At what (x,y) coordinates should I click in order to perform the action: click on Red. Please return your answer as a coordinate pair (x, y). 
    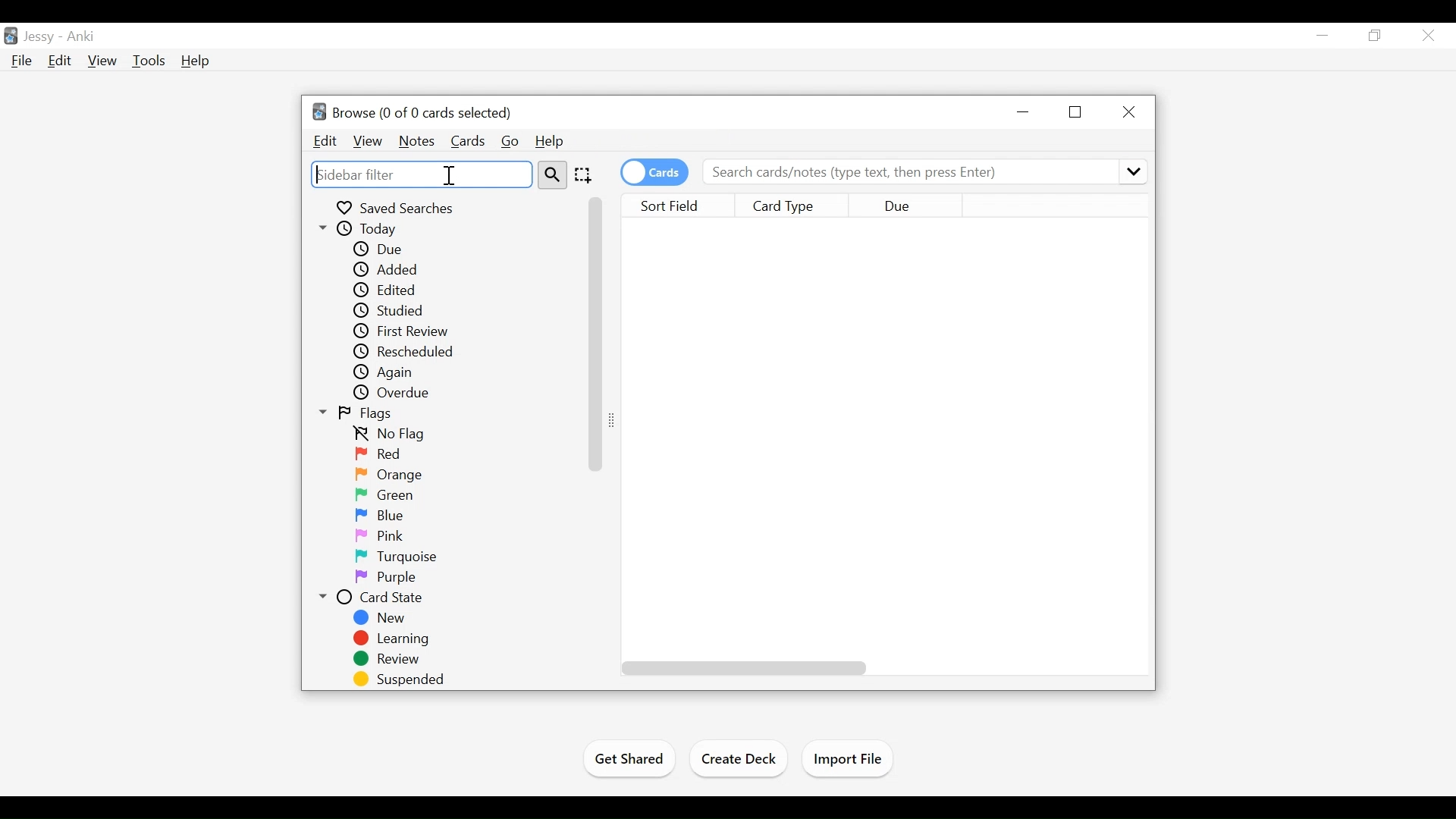
    Looking at the image, I should click on (380, 455).